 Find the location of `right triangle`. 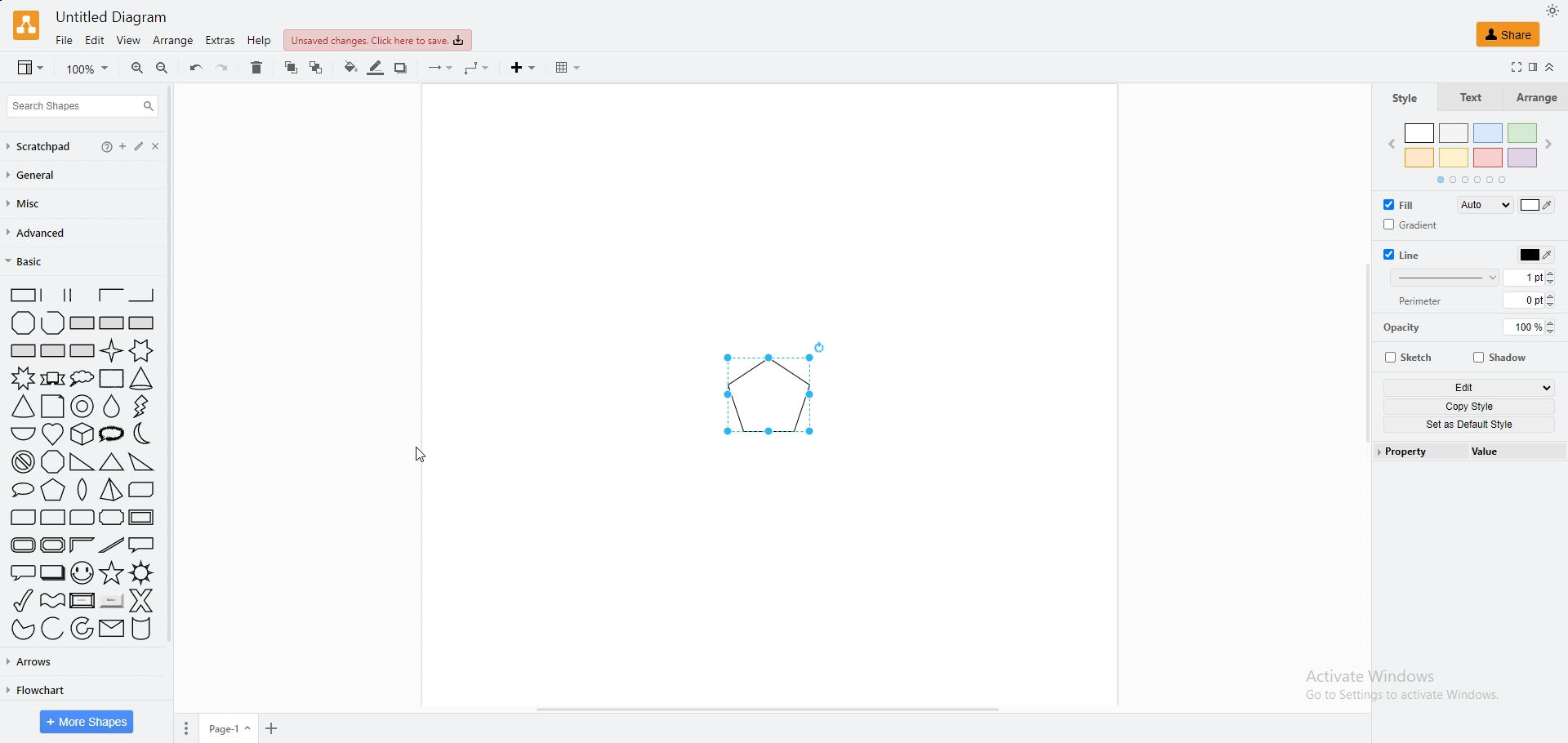

right triangle is located at coordinates (80, 463).